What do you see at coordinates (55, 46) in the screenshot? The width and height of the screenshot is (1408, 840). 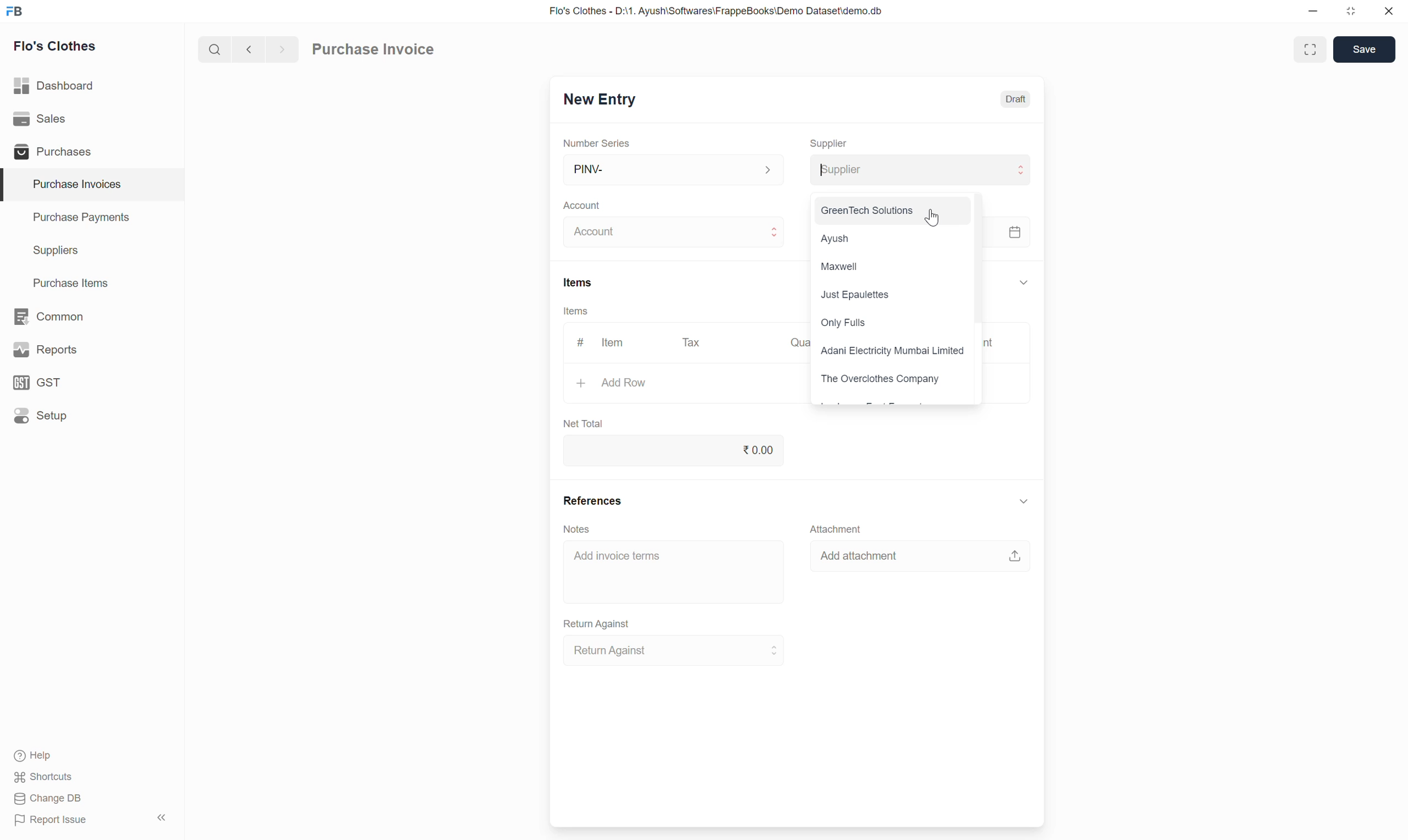 I see `Flo's Clothes` at bounding box center [55, 46].